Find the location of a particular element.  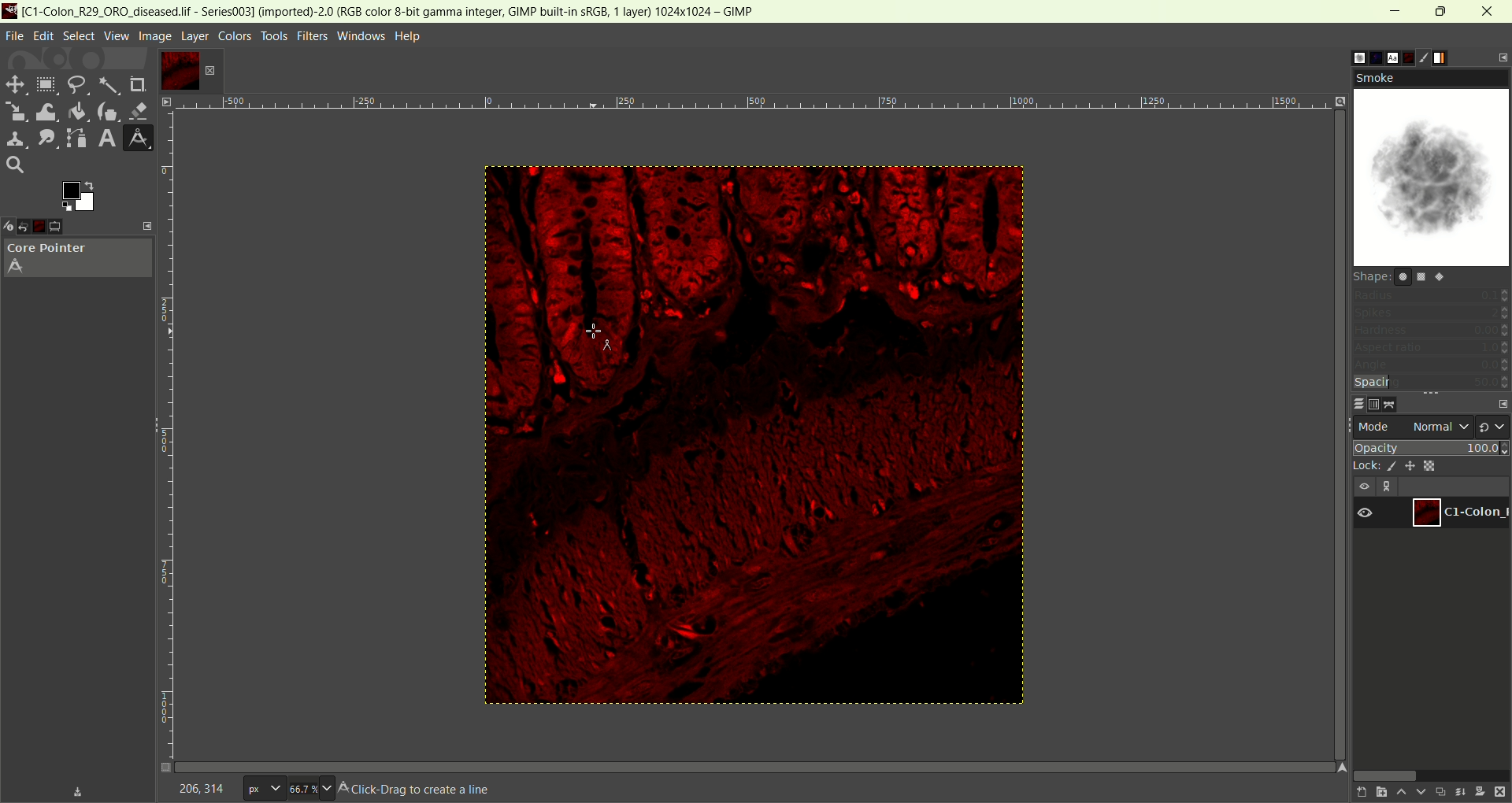

measure tool is located at coordinates (138, 138).